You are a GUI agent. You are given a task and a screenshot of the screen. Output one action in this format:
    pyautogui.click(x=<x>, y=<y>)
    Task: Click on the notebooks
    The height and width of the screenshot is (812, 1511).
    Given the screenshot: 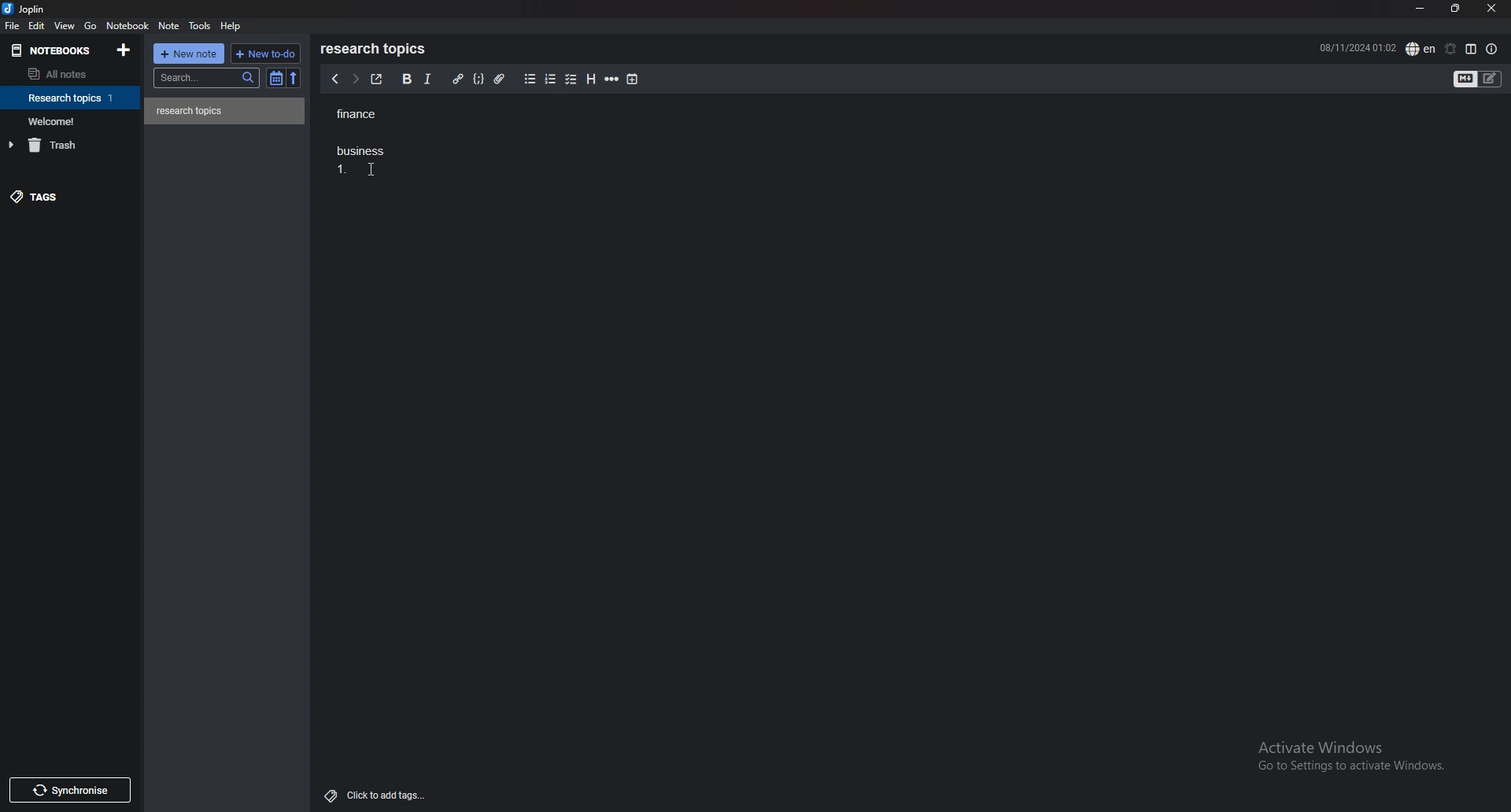 What is the action you would take?
    pyautogui.click(x=54, y=50)
    